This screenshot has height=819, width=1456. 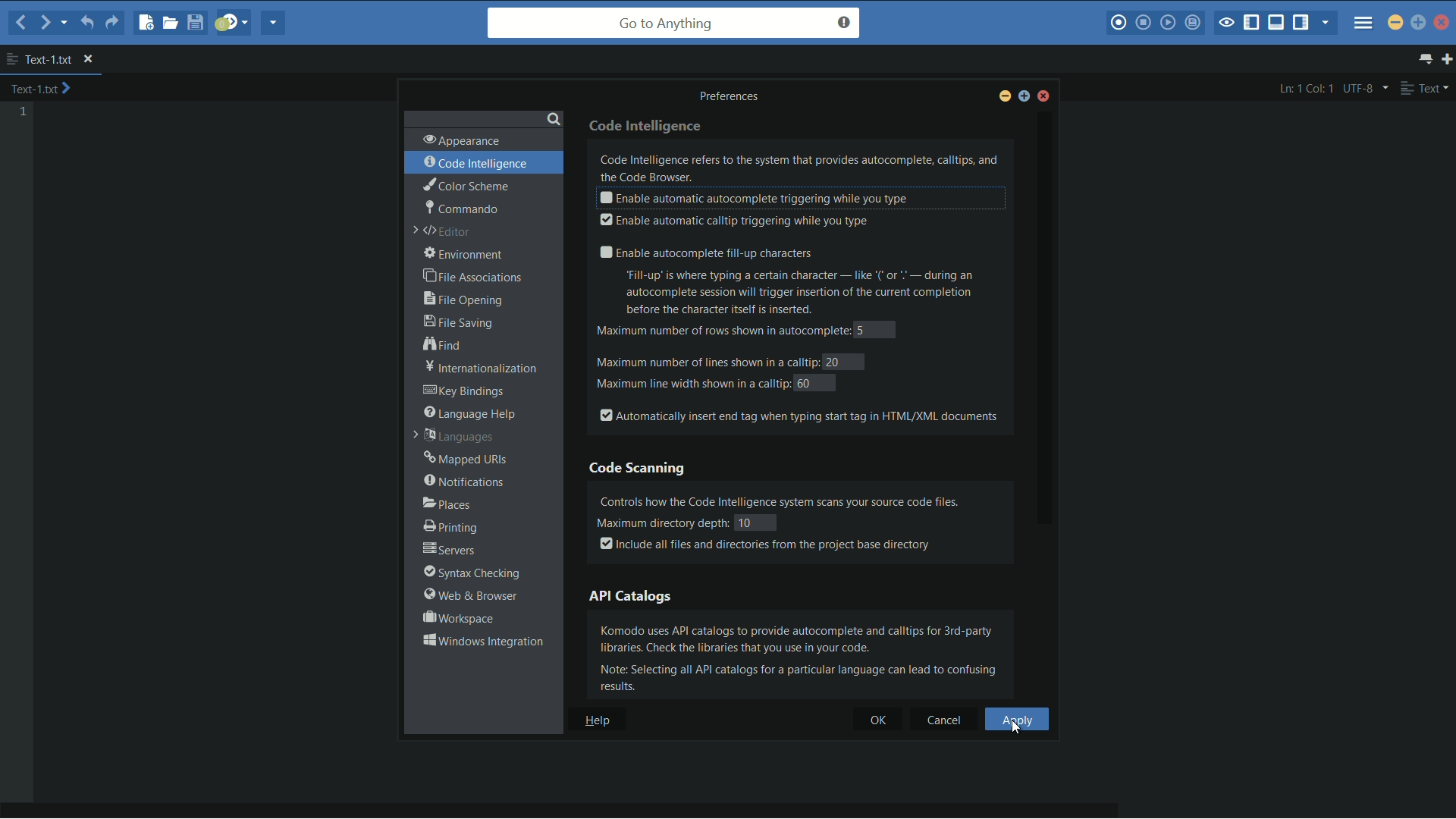 I want to click on 60, so click(x=805, y=382).